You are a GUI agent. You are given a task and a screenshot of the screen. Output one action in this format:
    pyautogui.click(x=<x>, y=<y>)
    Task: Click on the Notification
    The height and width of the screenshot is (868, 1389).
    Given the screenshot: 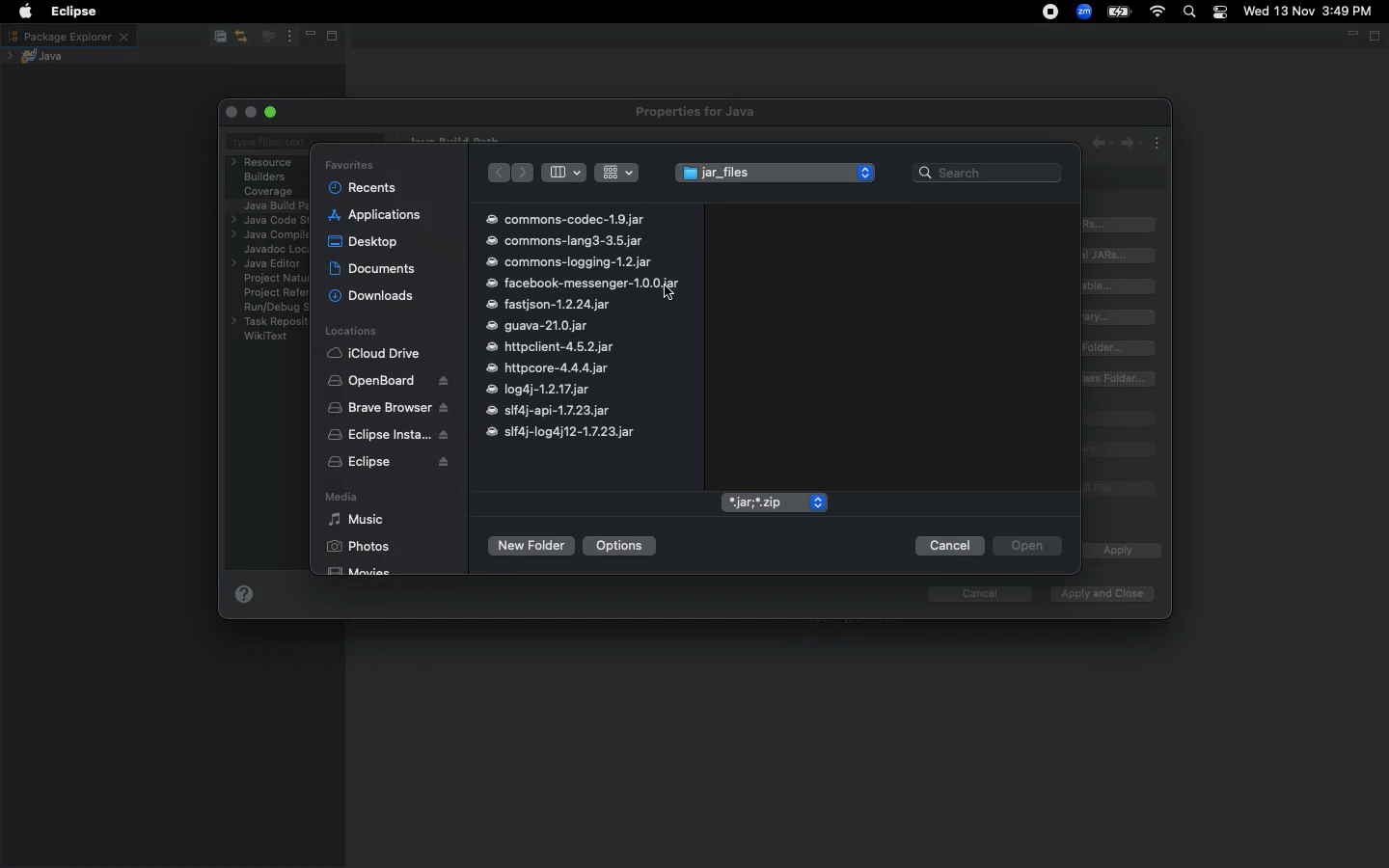 What is the action you would take?
    pyautogui.click(x=1222, y=13)
    